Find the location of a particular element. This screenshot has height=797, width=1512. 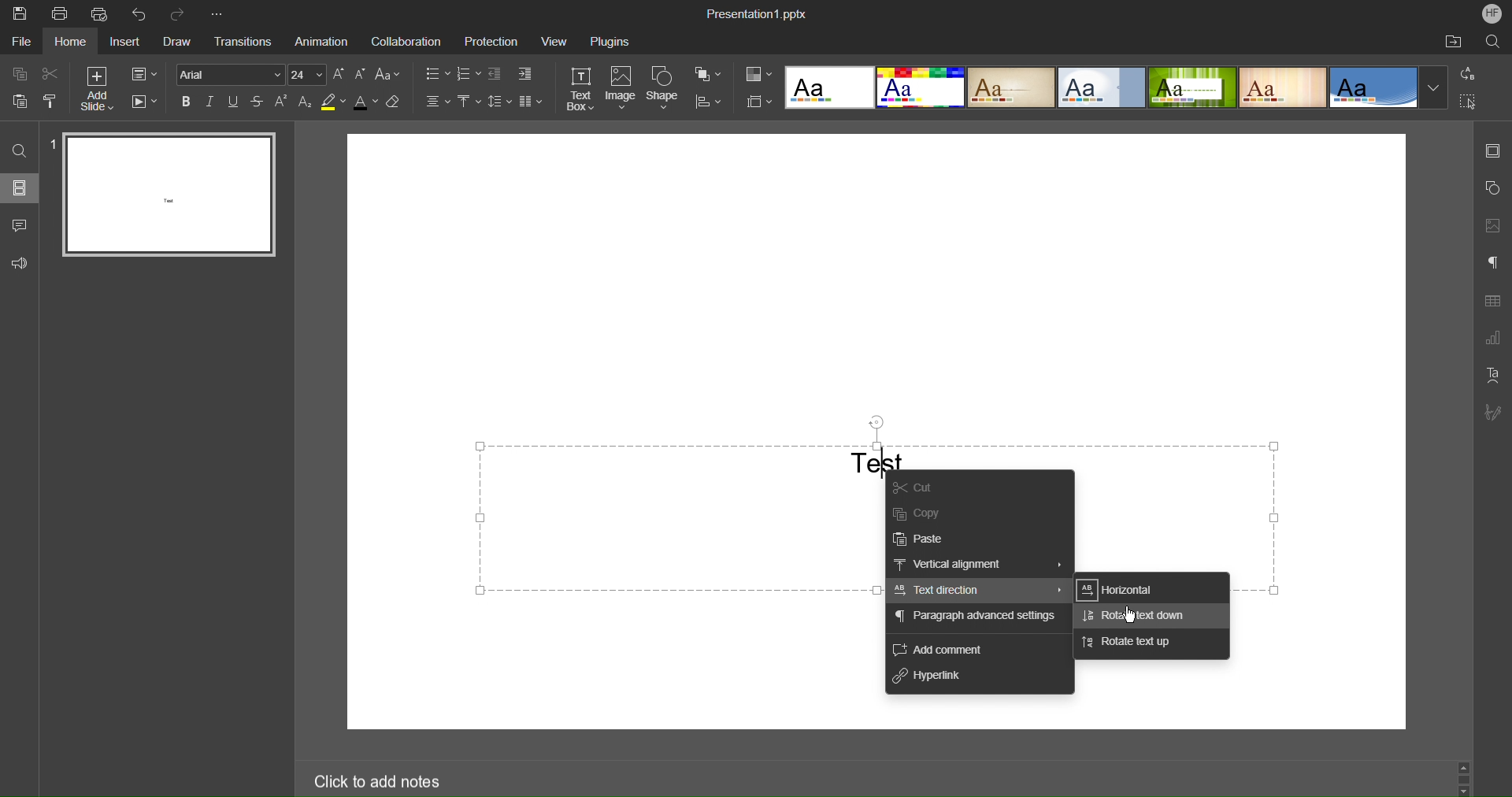

Feedback and Support is located at coordinates (20, 263).